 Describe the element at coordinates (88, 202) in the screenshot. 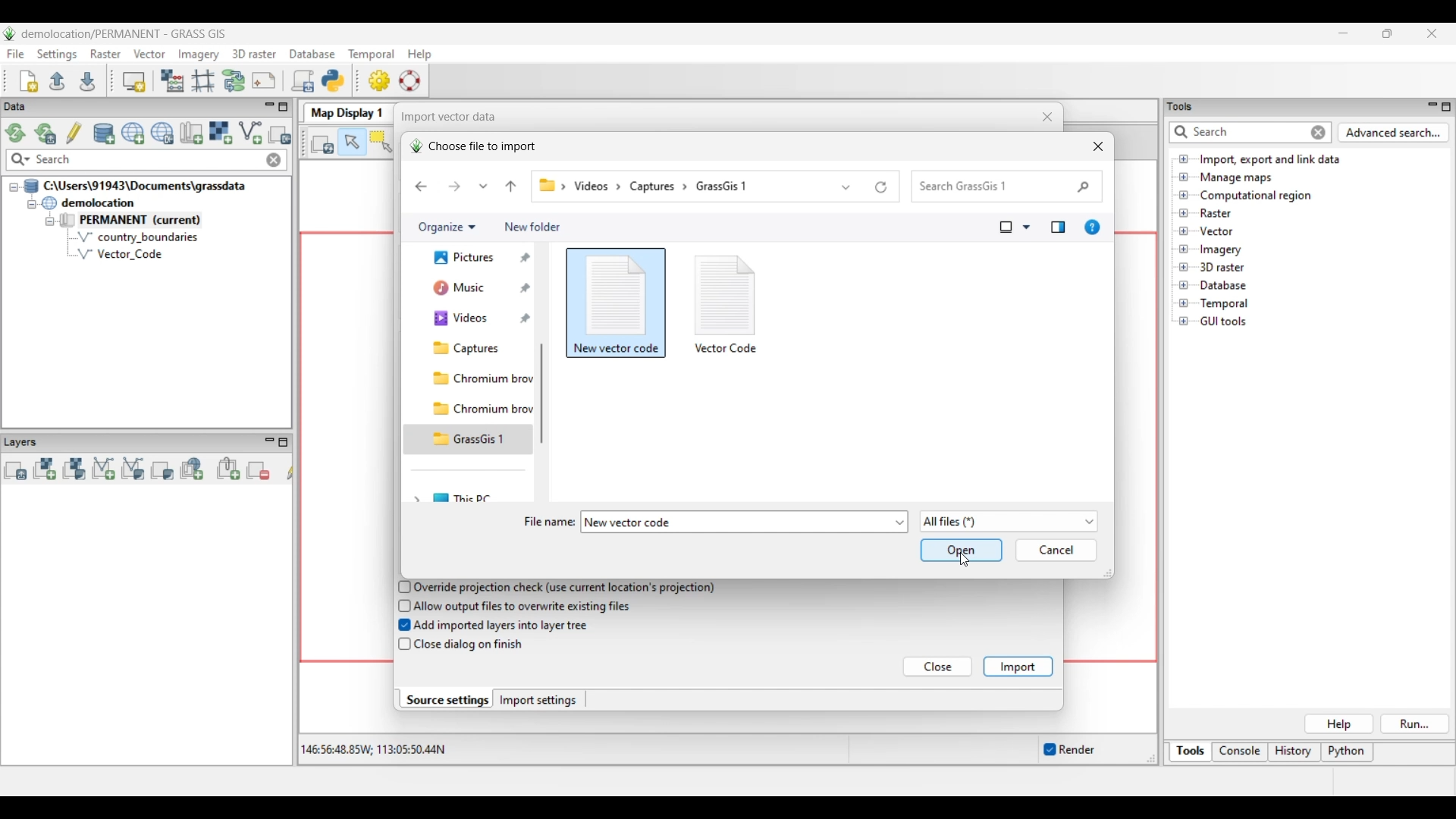

I see `Double click to collapse demolocation` at that location.